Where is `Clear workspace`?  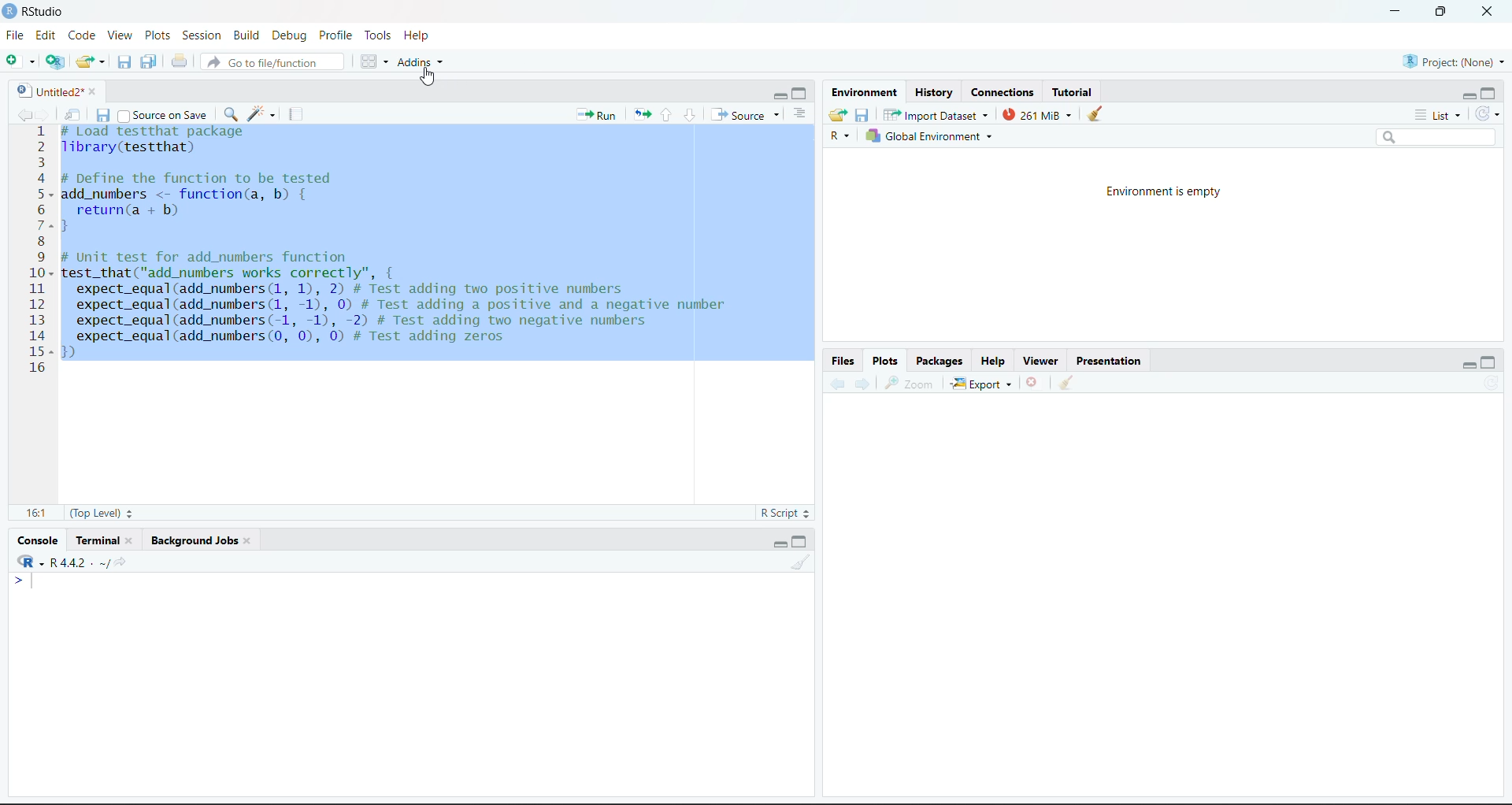 Clear workspace is located at coordinates (802, 563).